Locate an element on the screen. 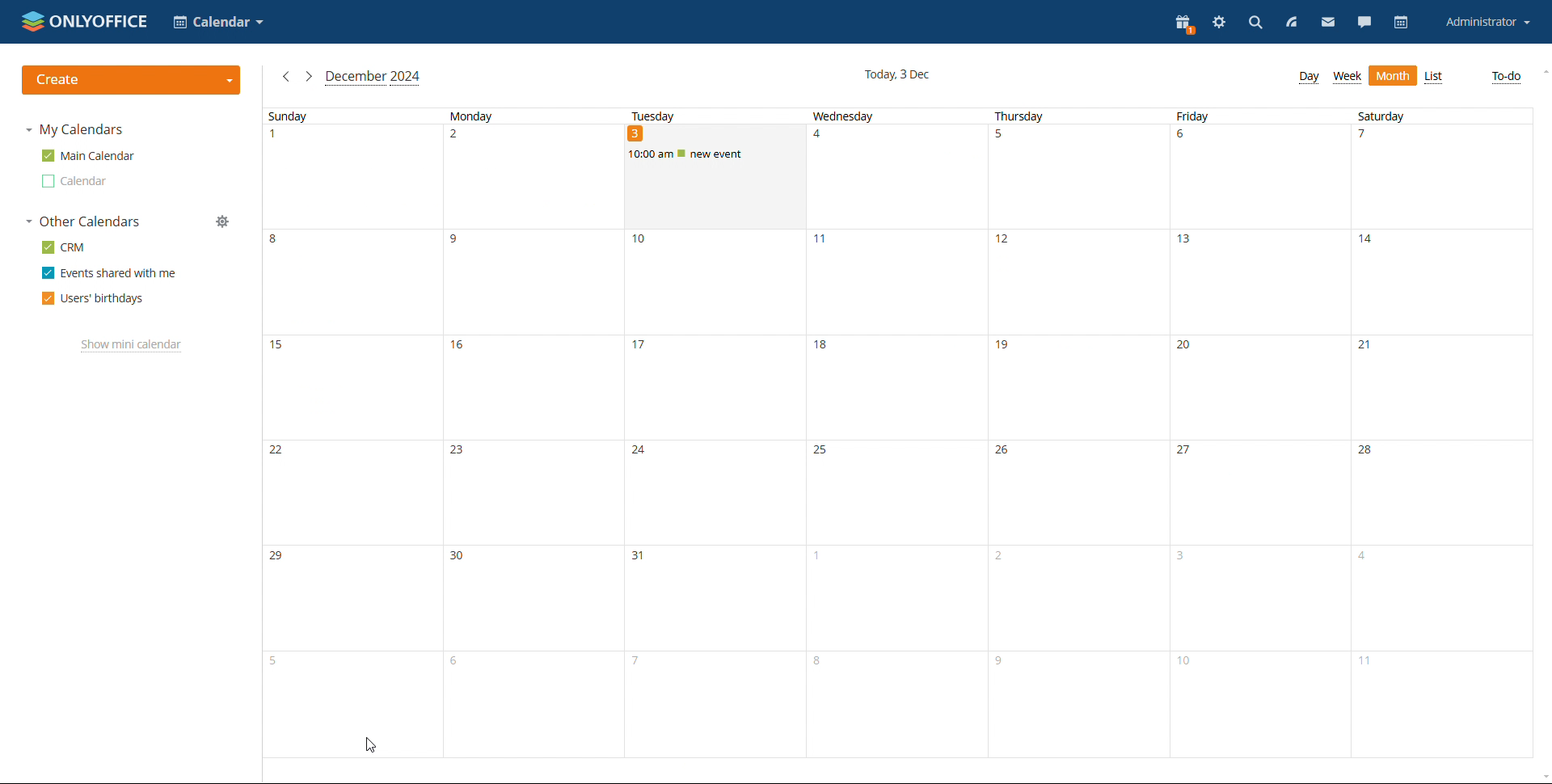  current month is located at coordinates (373, 78).